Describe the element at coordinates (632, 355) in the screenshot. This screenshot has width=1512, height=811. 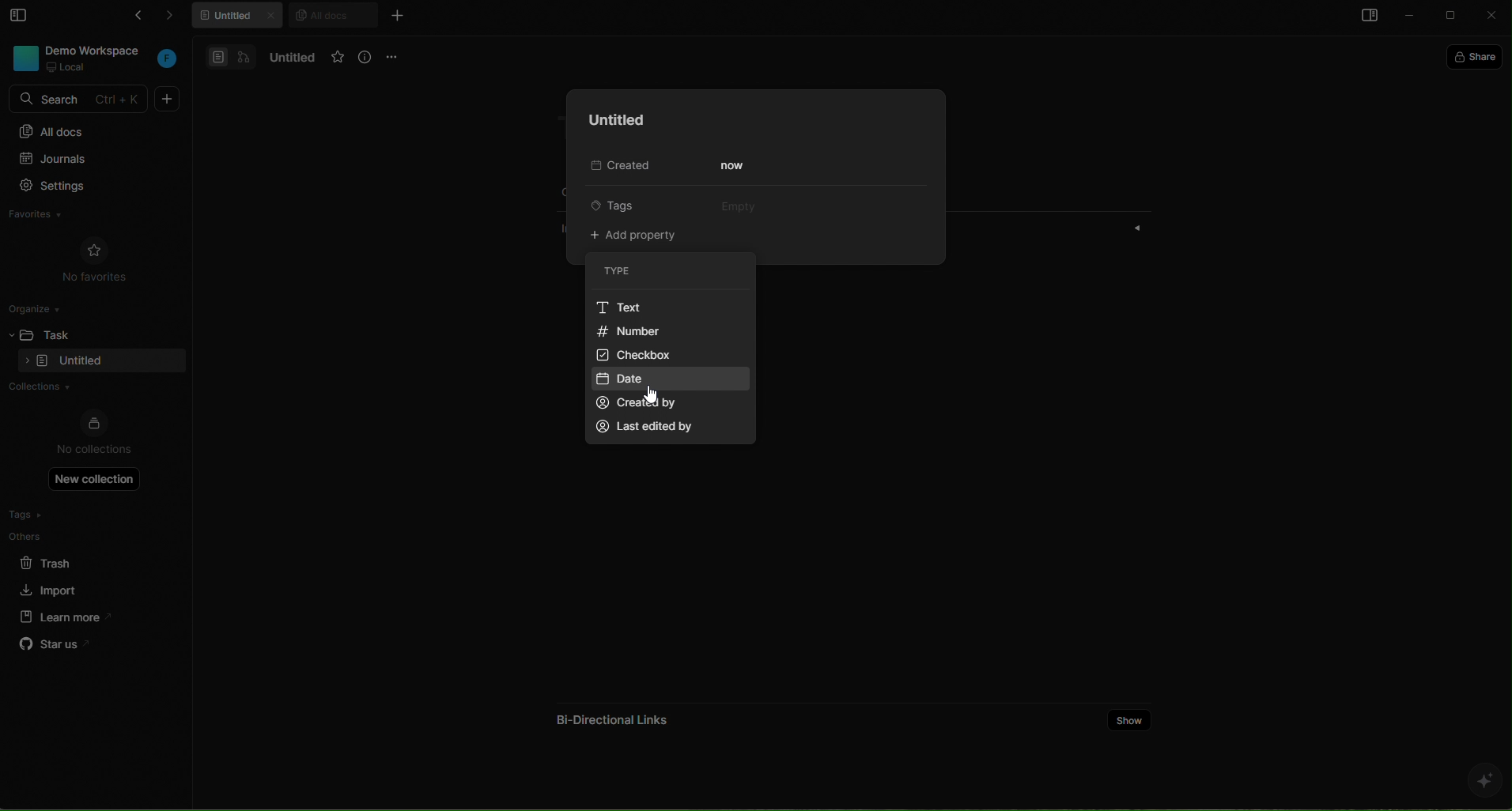
I see `checkbox` at that location.